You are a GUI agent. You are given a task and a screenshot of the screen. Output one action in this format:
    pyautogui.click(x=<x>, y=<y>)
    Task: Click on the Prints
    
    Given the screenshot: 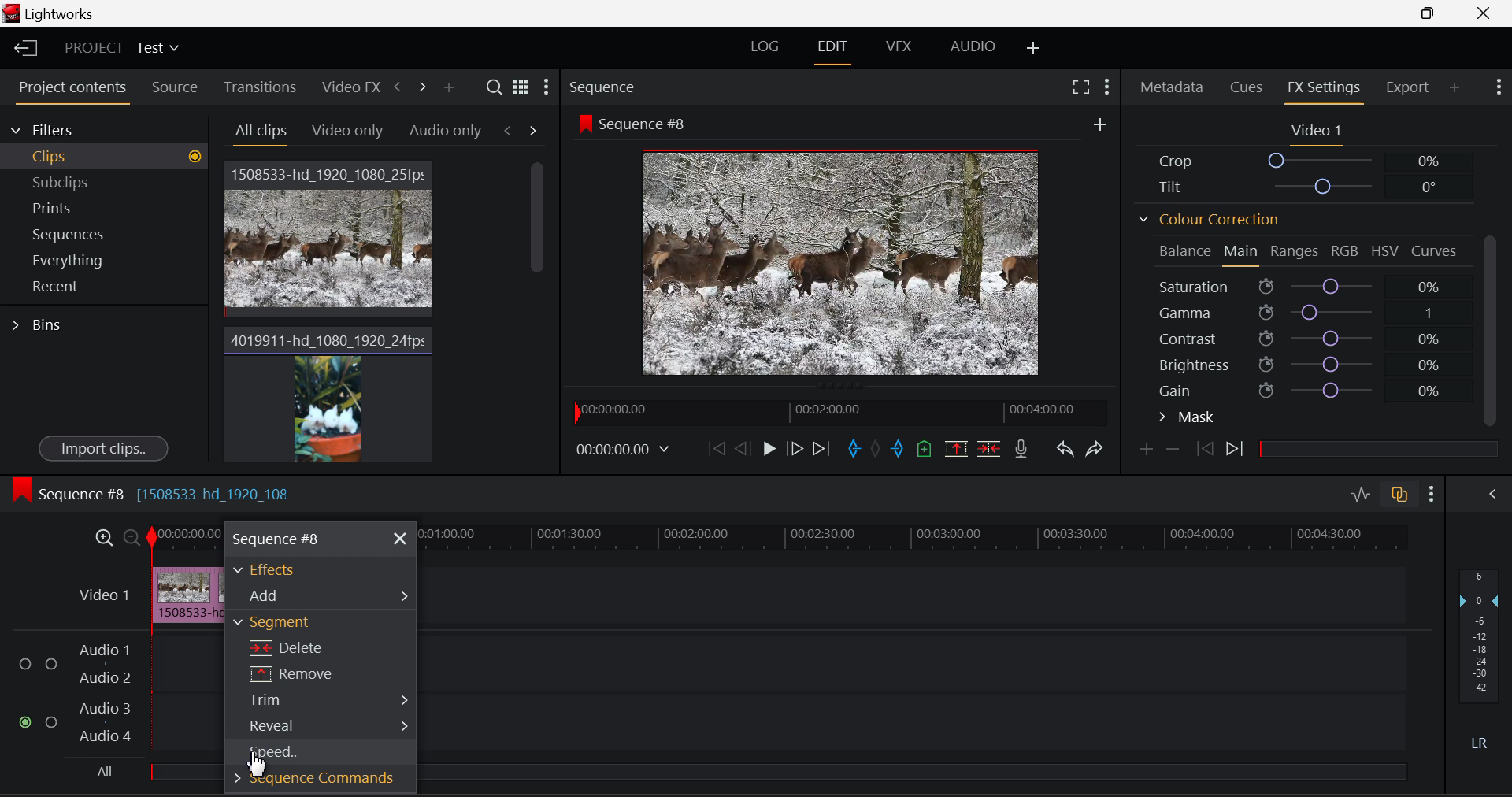 What is the action you would take?
    pyautogui.click(x=113, y=210)
    